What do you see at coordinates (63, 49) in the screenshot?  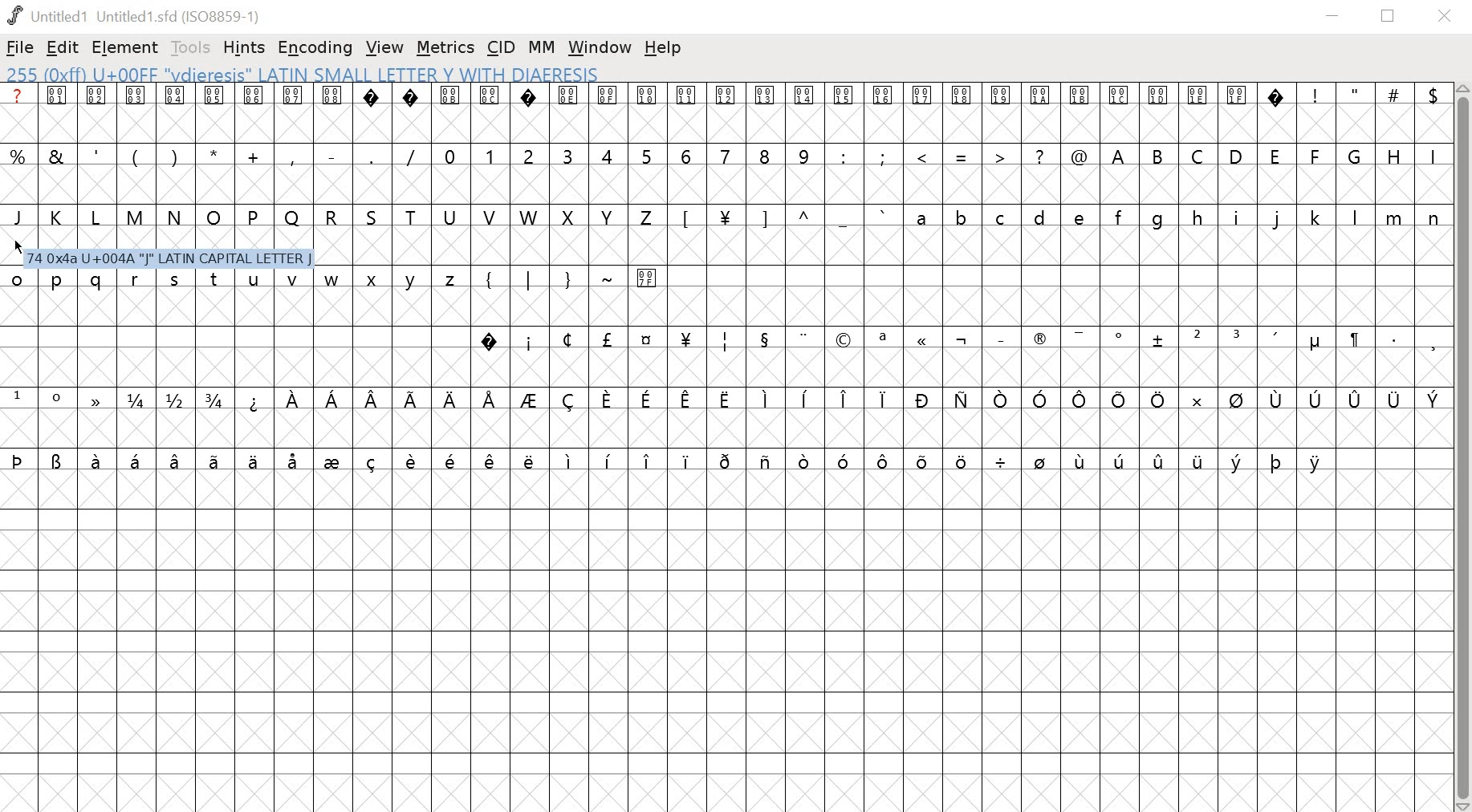 I see `EDIT` at bounding box center [63, 49].